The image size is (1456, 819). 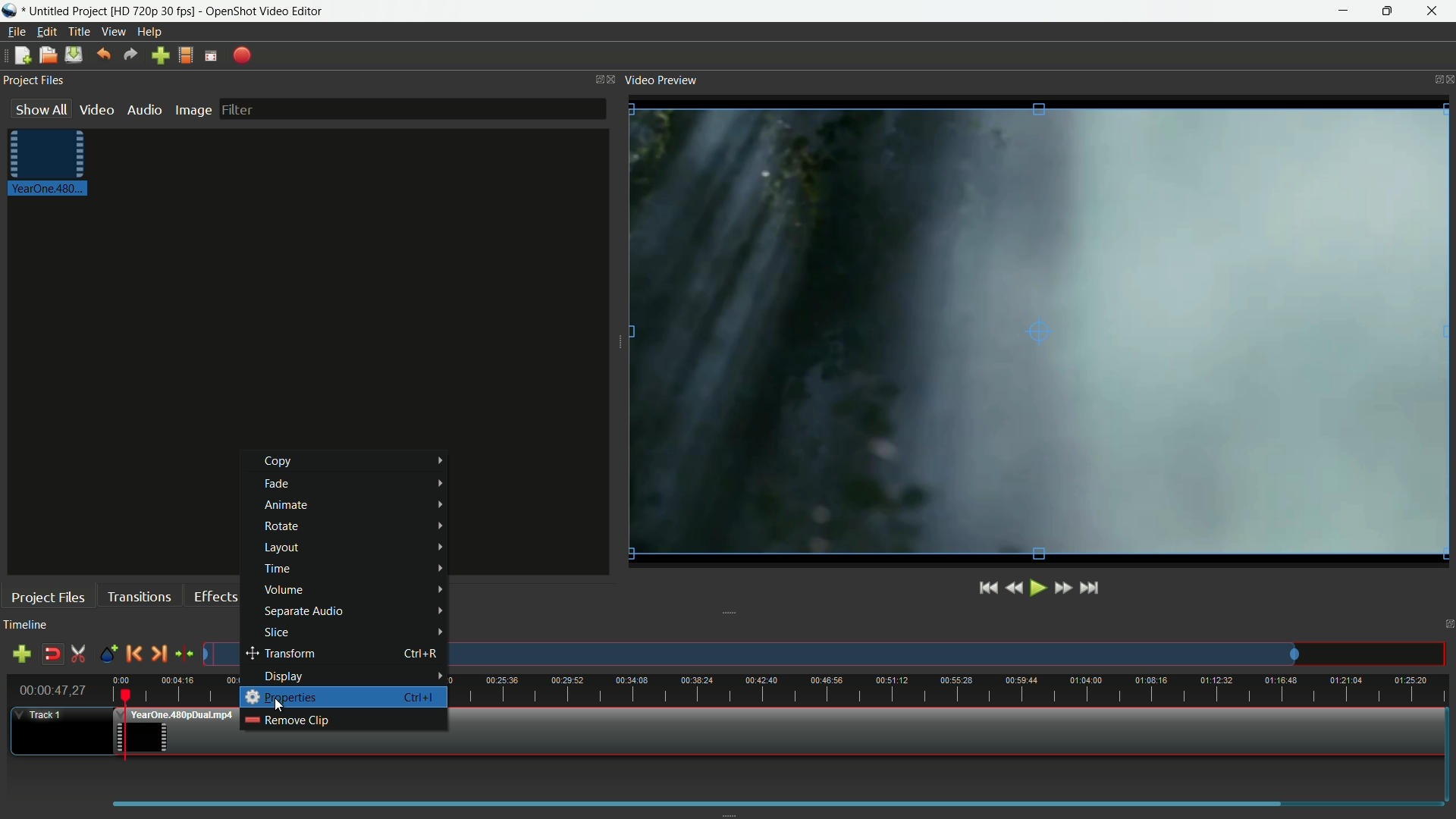 What do you see at coordinates (51, 690) in the screenshot?
I see `current time` at bounding box center [51, 690].